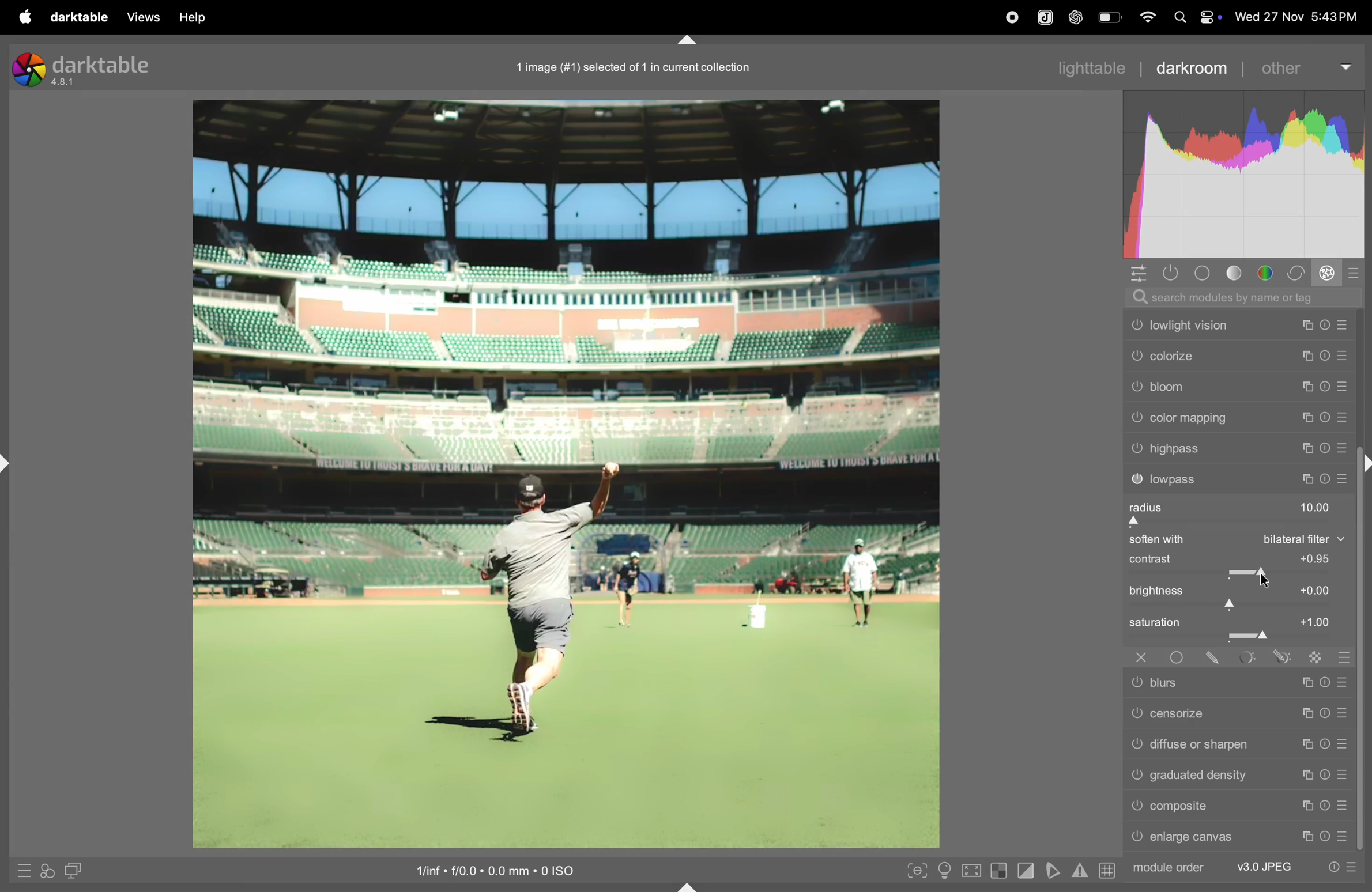 The image size is (1372, 892). What do you see at coordinates (1134, 274) in the screenshot?
I see `quick acess panel` at bounding box center [1134, 274].